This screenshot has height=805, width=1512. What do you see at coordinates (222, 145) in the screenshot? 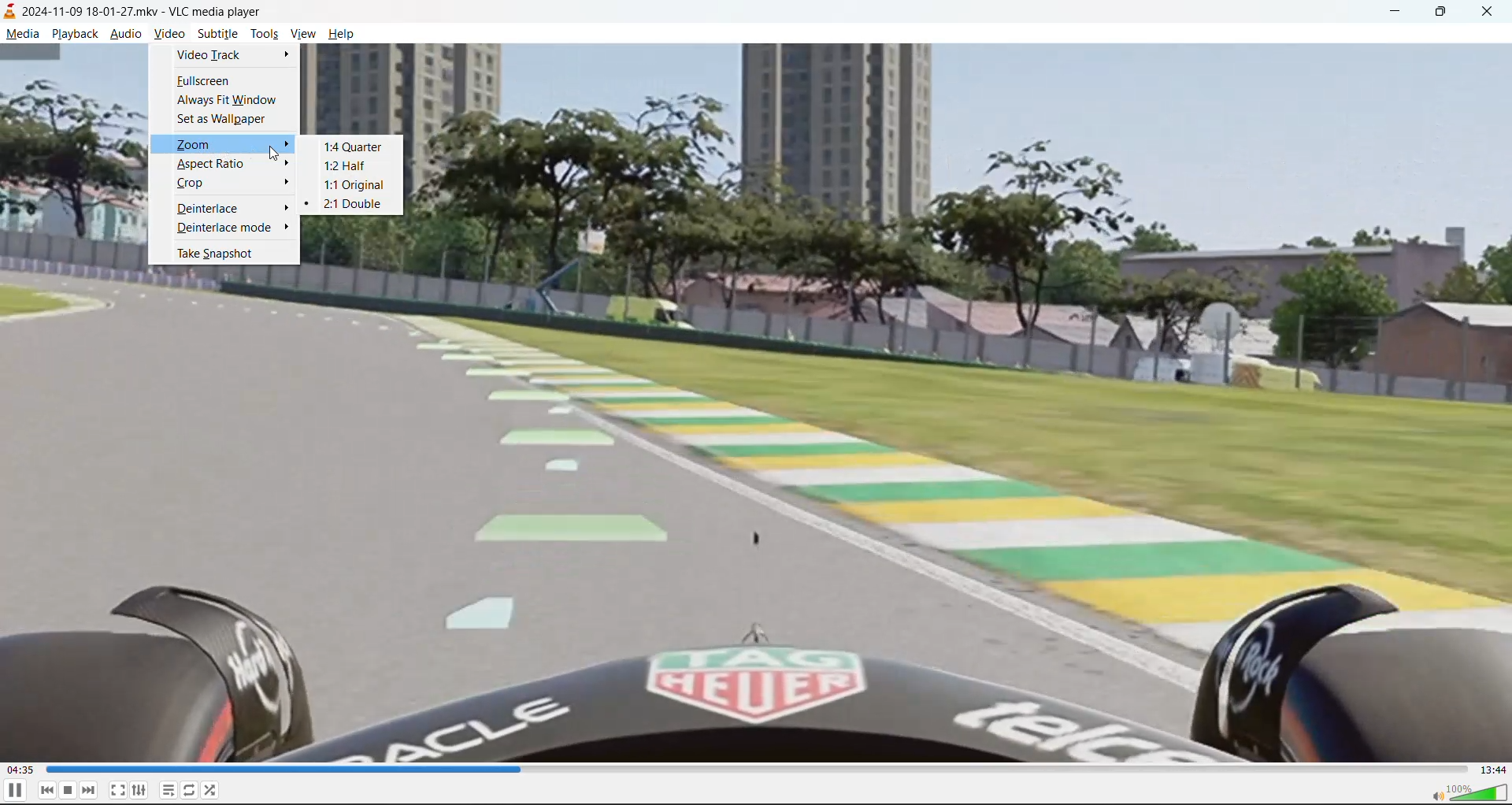
I see `zoom` at bounding box center [222, 145].